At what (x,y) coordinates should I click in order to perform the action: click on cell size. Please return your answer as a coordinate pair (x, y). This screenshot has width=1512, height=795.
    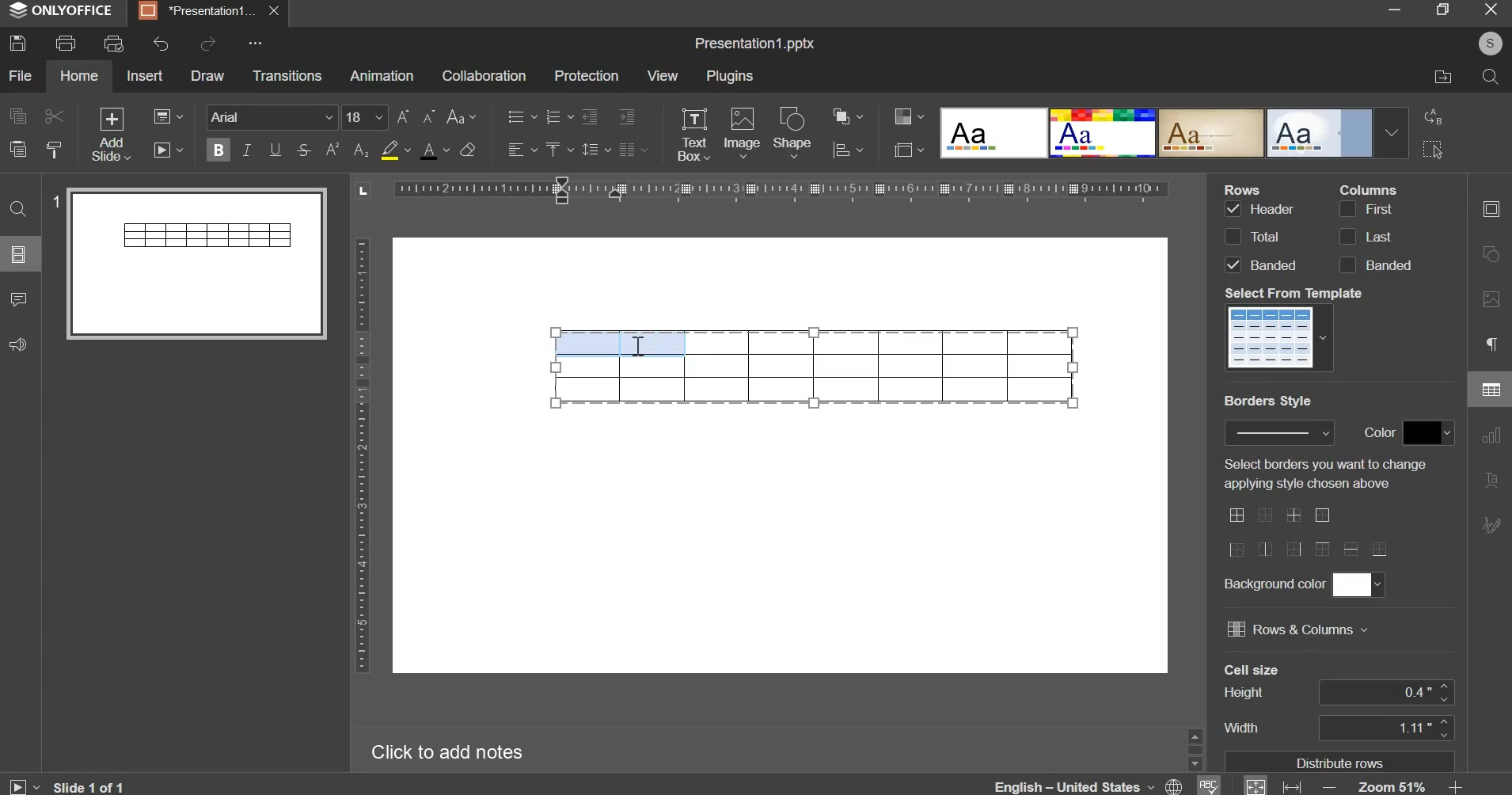
    Looking at the image, I should click on (1386, 692).